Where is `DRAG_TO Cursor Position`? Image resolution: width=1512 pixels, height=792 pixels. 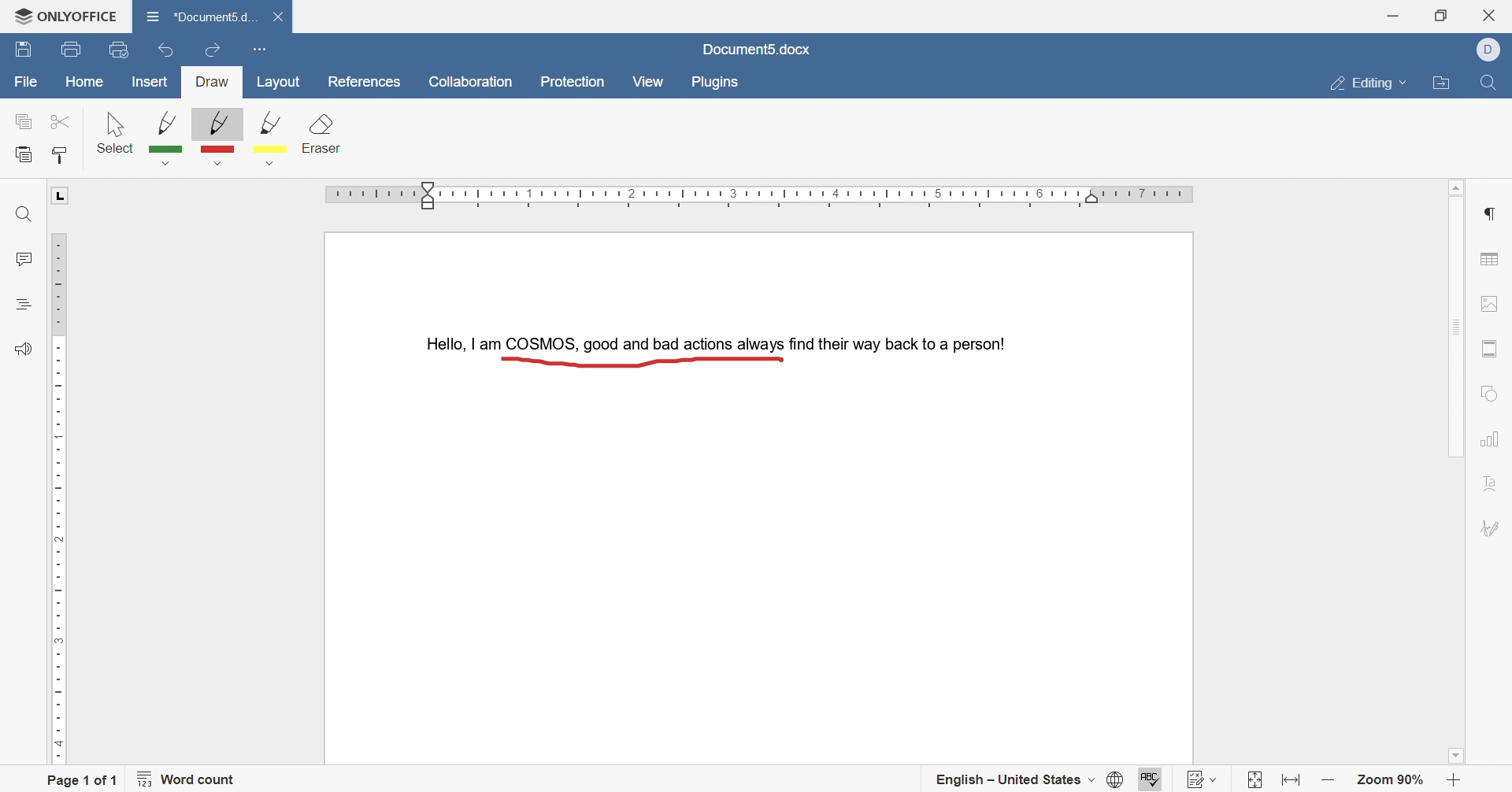
DRAG_TO Cursor Position is located at coordinates (780, 363).